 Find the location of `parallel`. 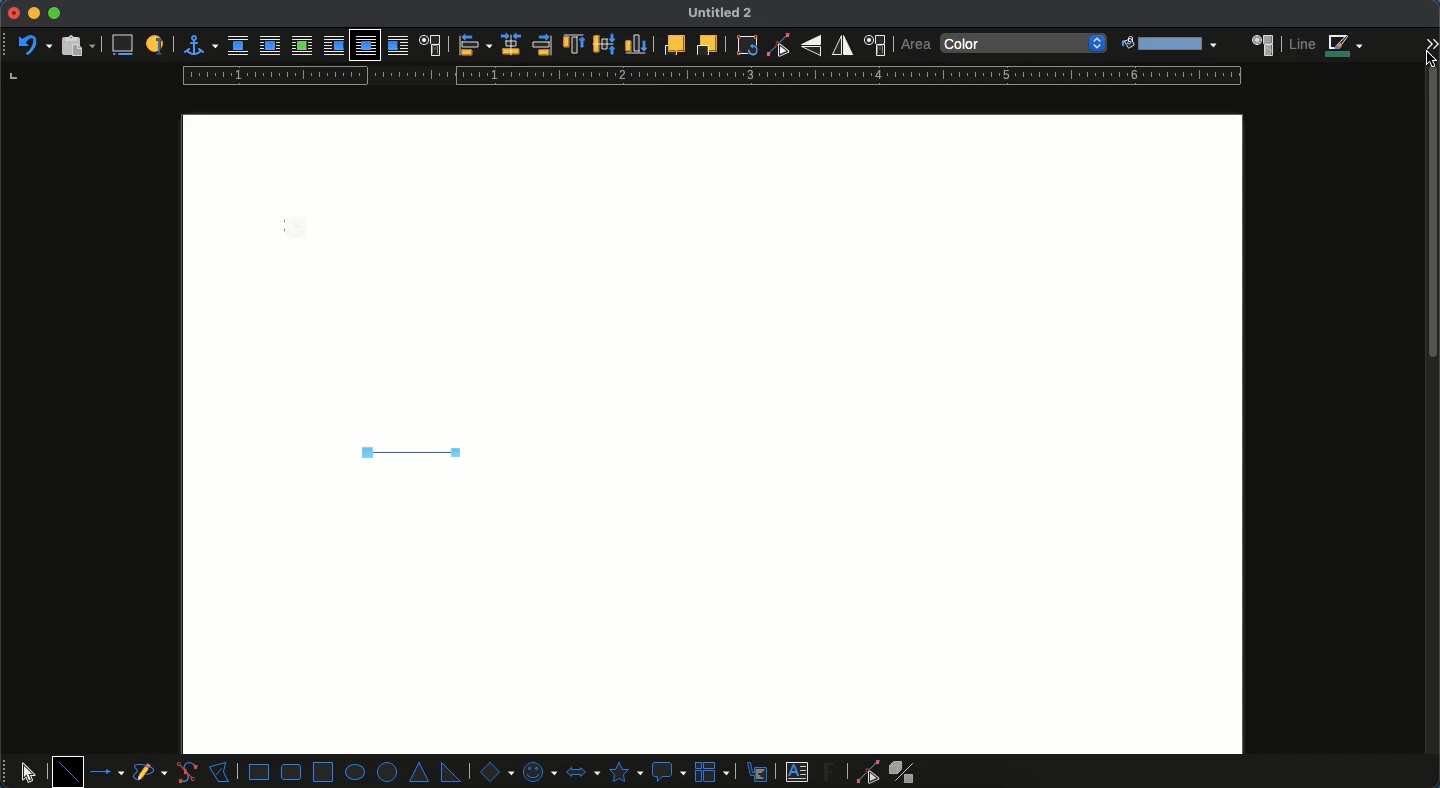

parallel is located at coordinates (270, 45).